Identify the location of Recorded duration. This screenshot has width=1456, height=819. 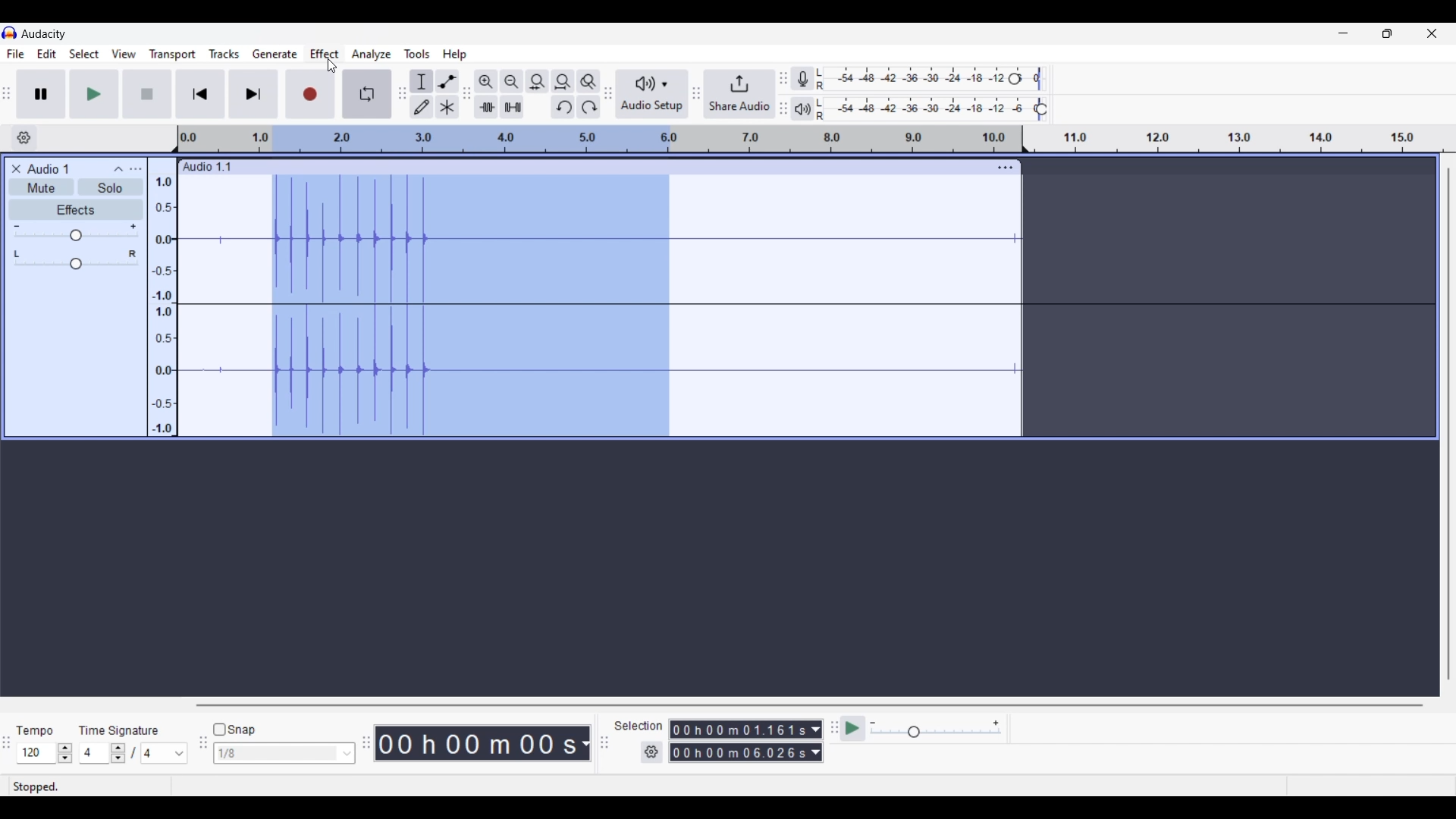
(476, 743).